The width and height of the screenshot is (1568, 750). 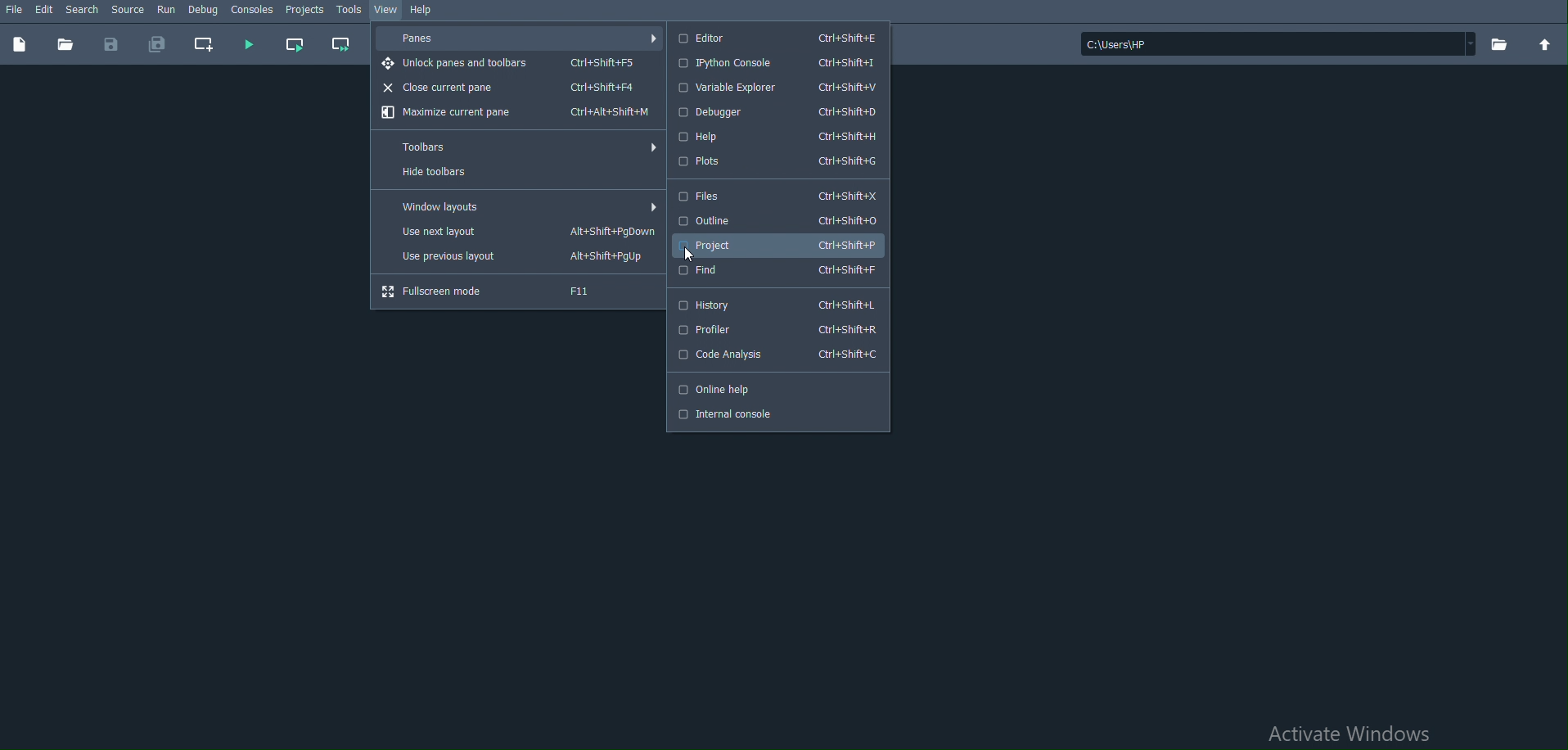 I want to click on IPython console, so click(x=776, y=62).